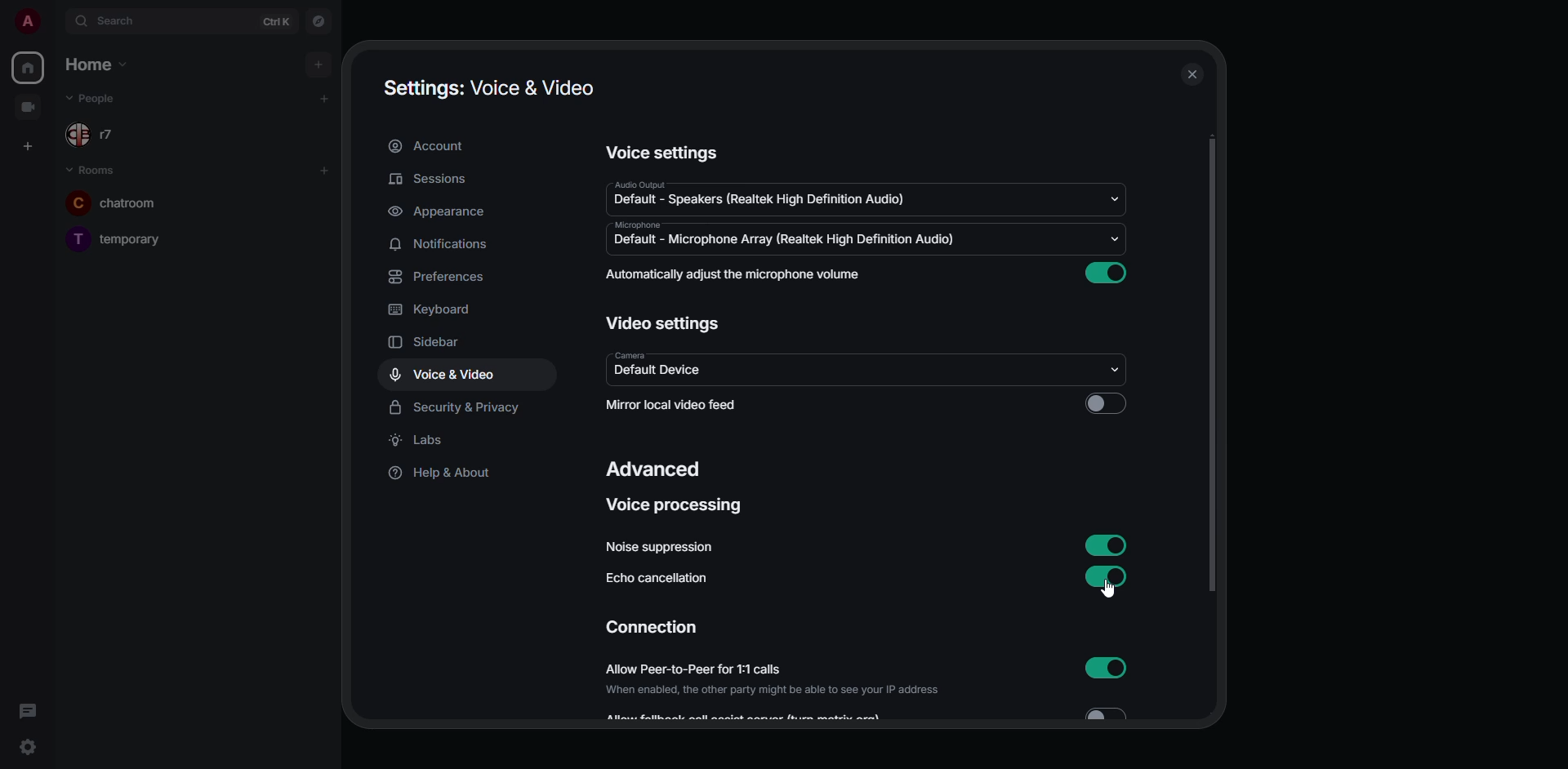 This screenshot has height=769, width=1568. I want to click on help & about, so click(441, 473).